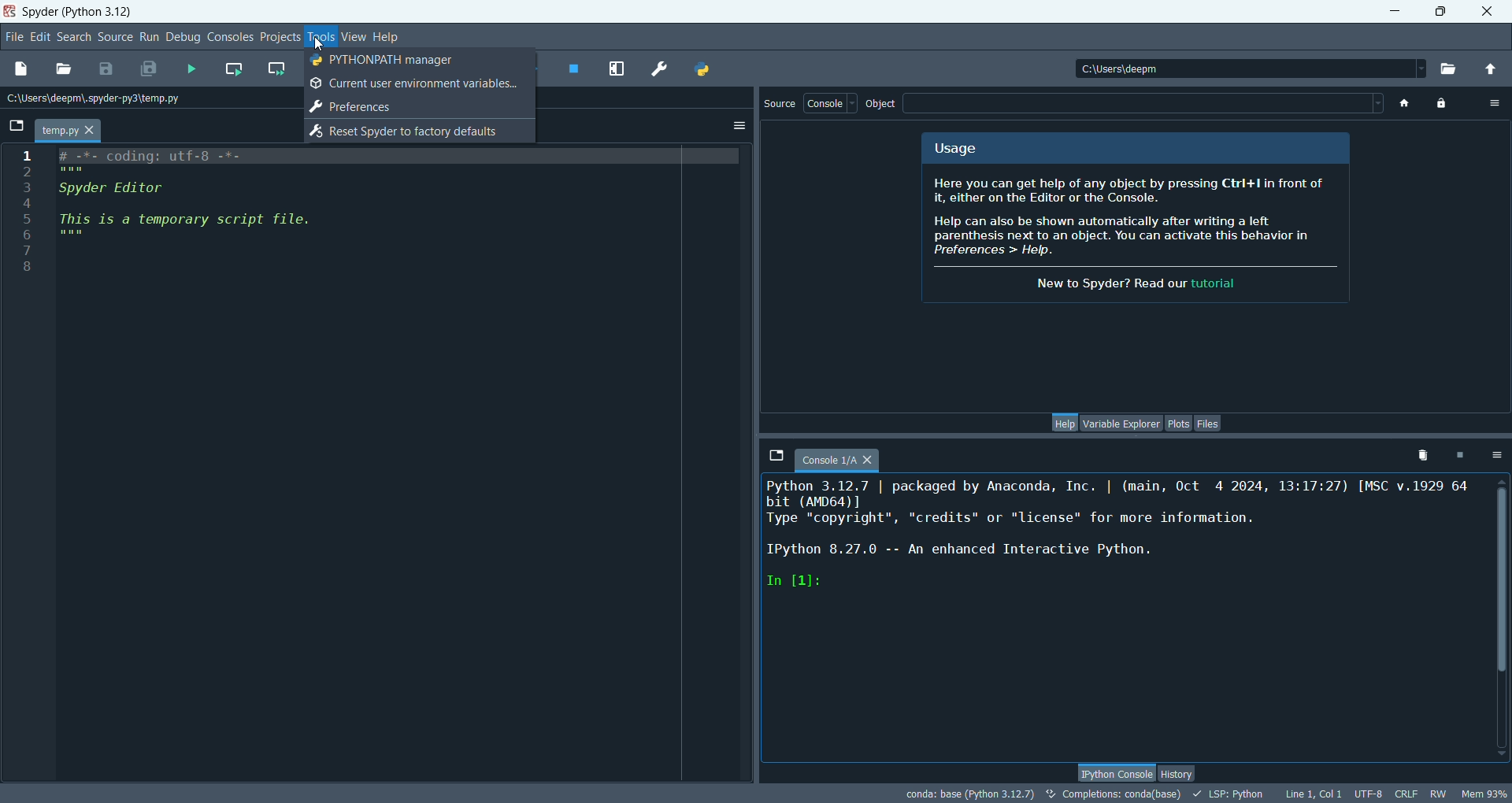 The width and height of the screenshot is (1512, 803). I want to click on run current cell, so click(233, 70).